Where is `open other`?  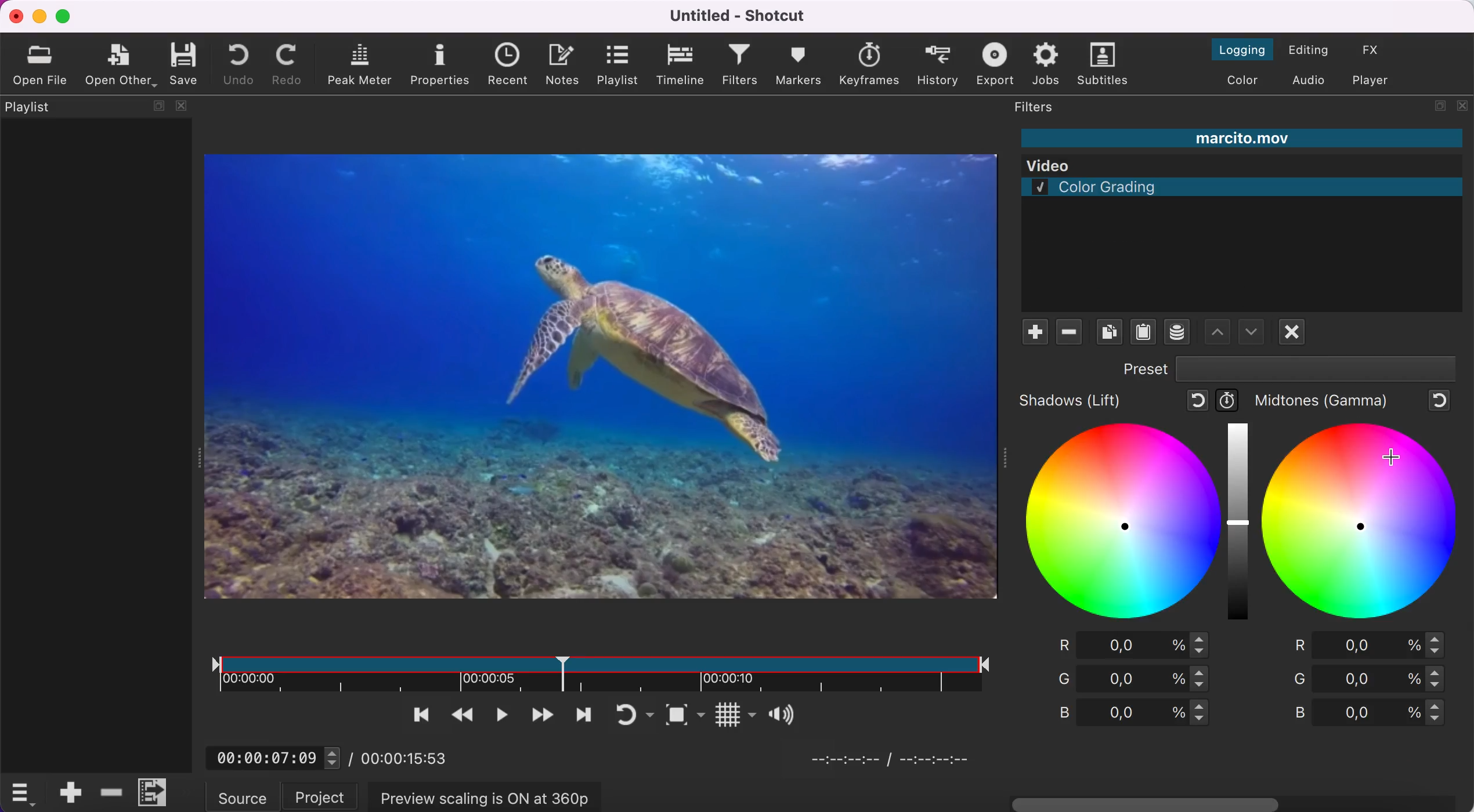 open other is located at coordinates (121, 65).